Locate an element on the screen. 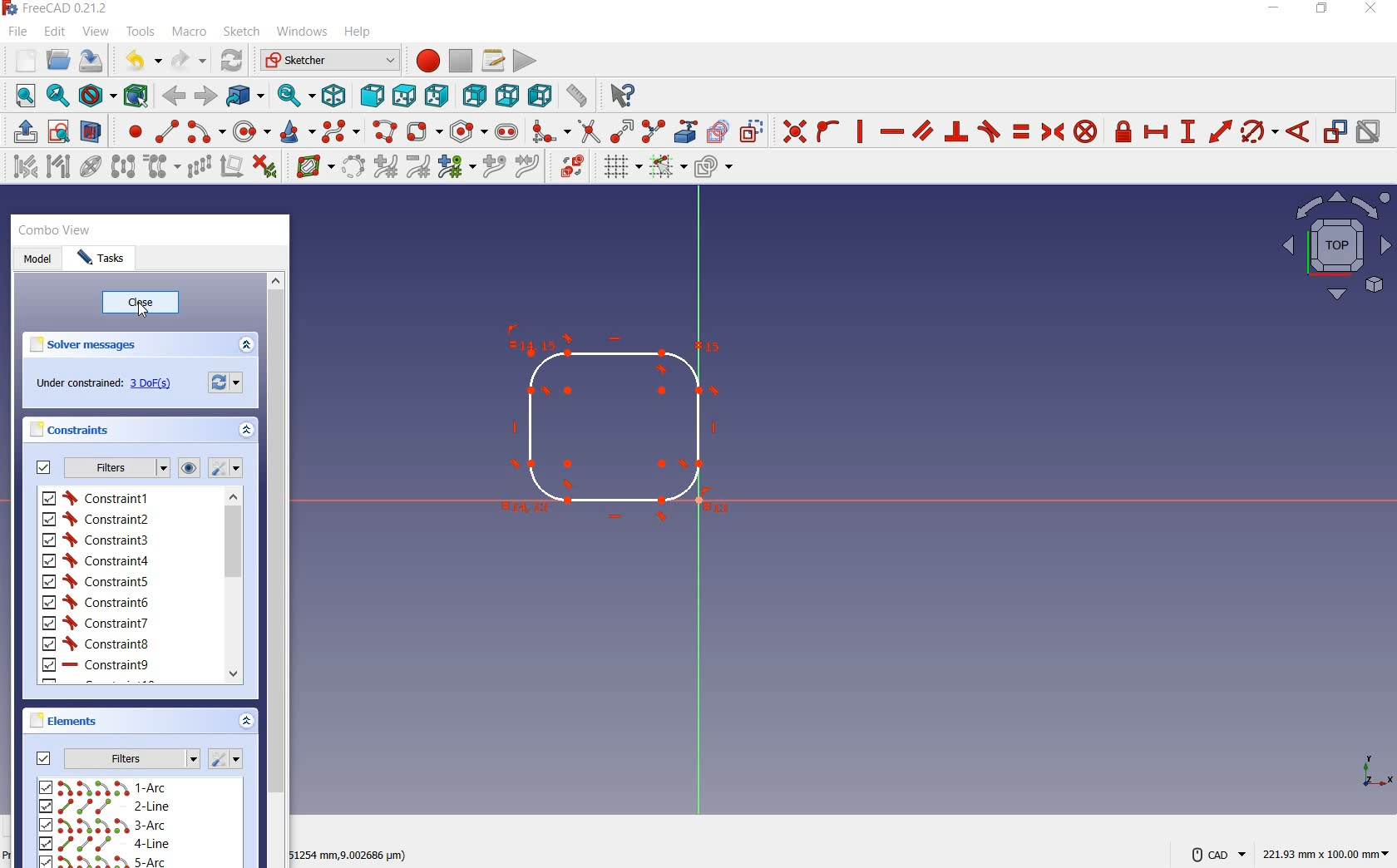 The width and height of the screenshot is (1397, 868). isometric is located at coordinates (336, 96).